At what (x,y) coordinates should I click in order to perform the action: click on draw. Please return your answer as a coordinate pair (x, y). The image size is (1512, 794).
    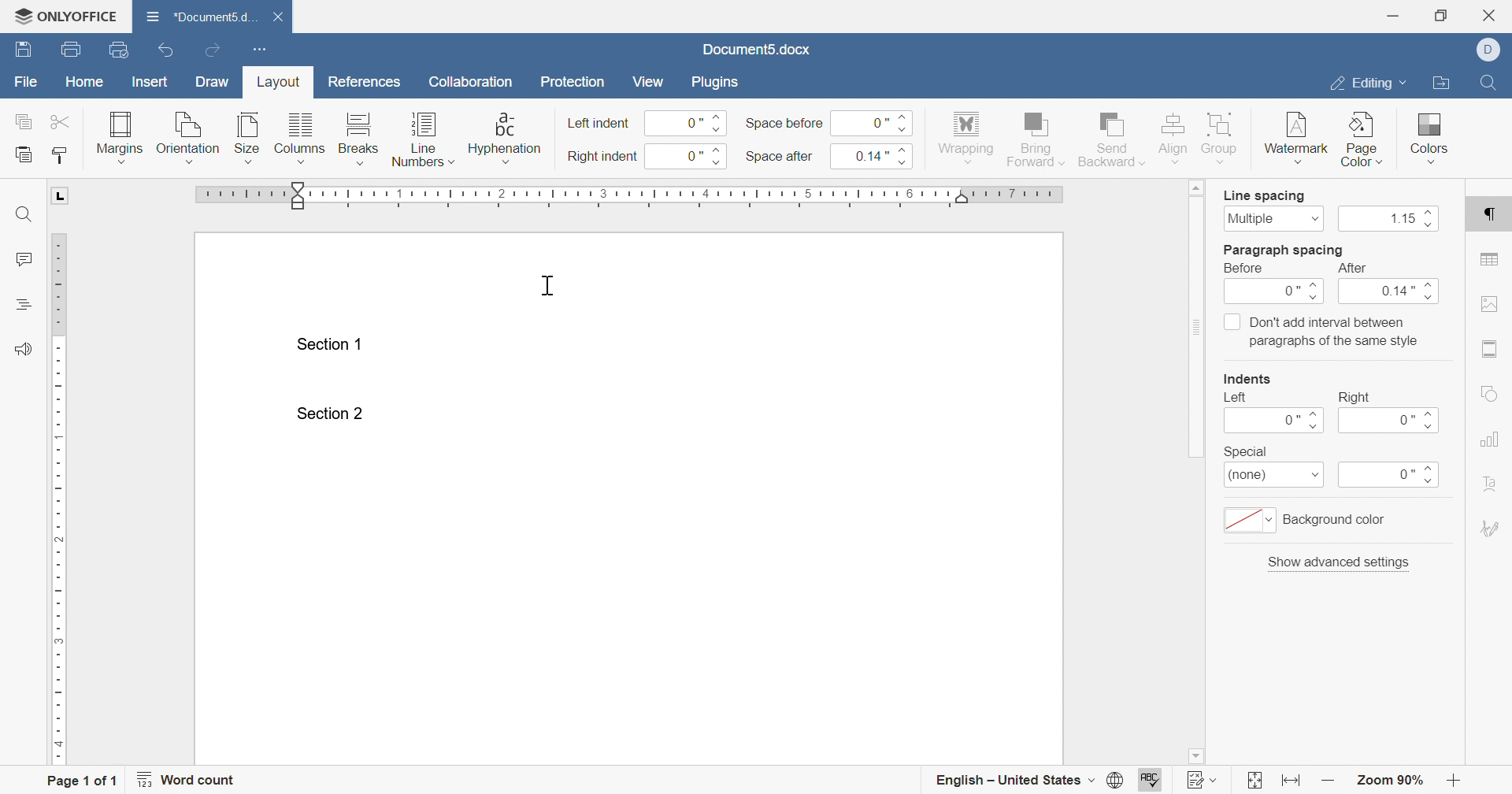
    Looking at the image, I should click on (213, 81).